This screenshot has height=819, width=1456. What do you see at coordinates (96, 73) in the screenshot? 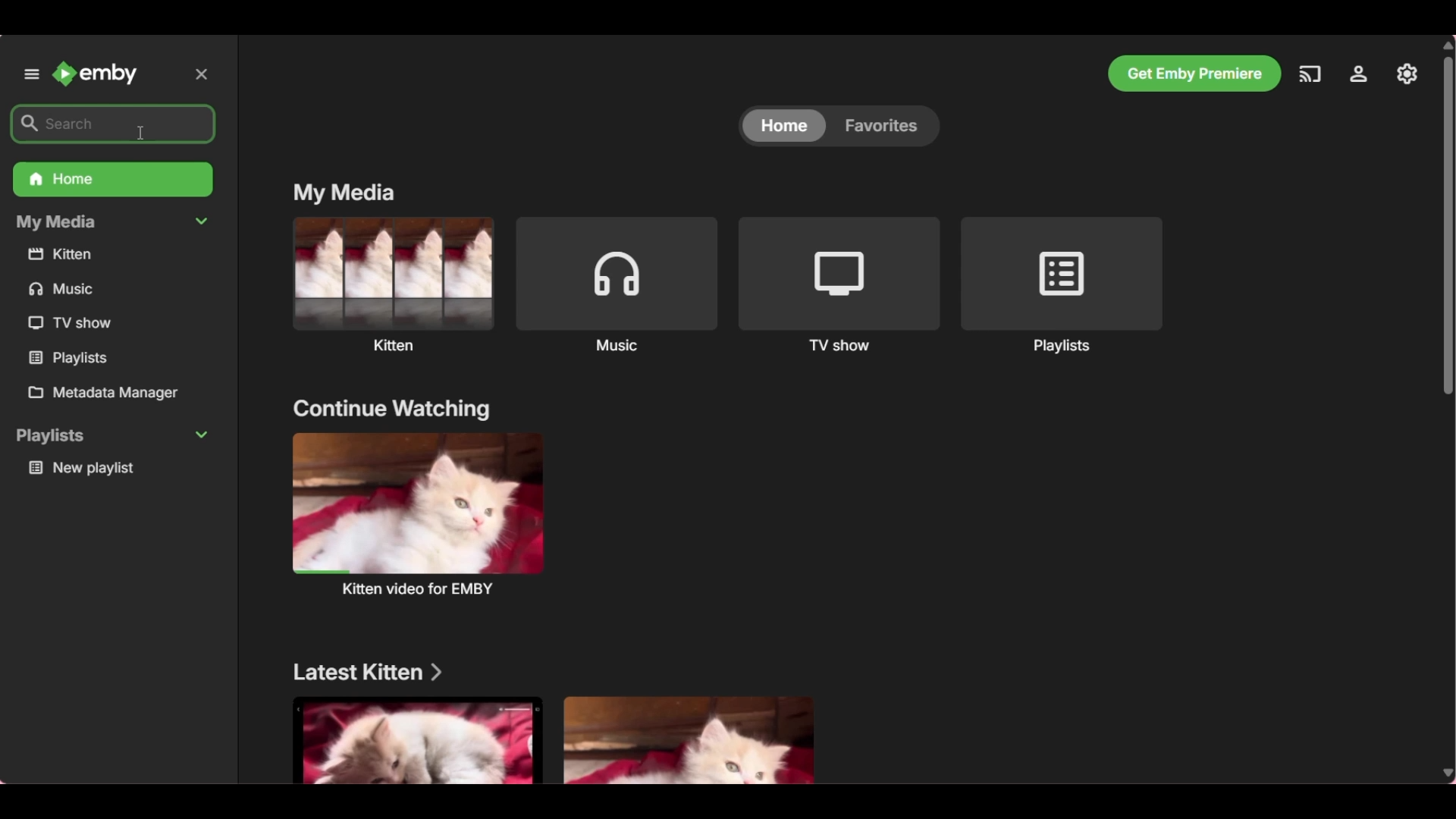
I see `Emby` at bounding box center [96, 73].